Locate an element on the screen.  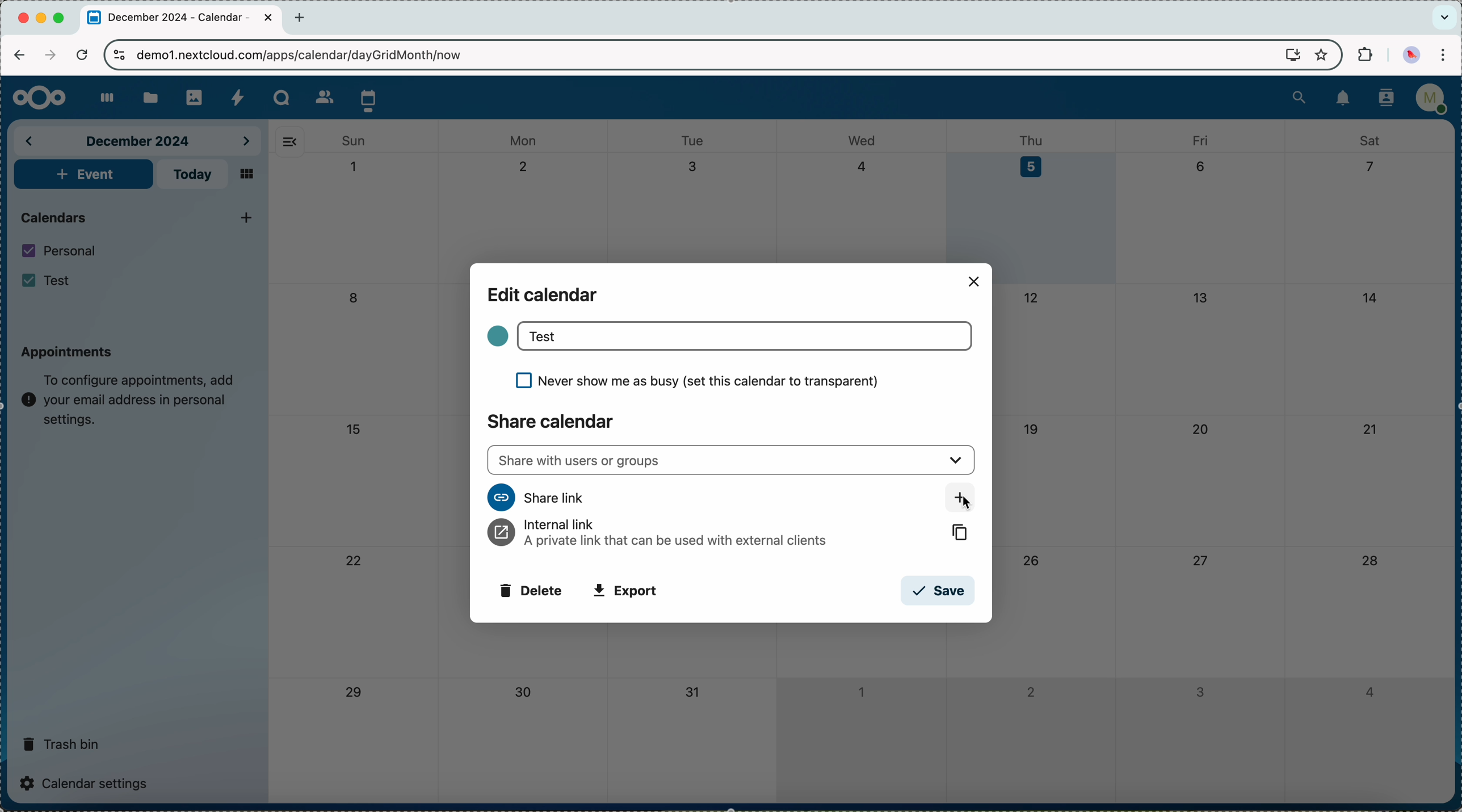
favorites is located at coordinates (1320, 54).